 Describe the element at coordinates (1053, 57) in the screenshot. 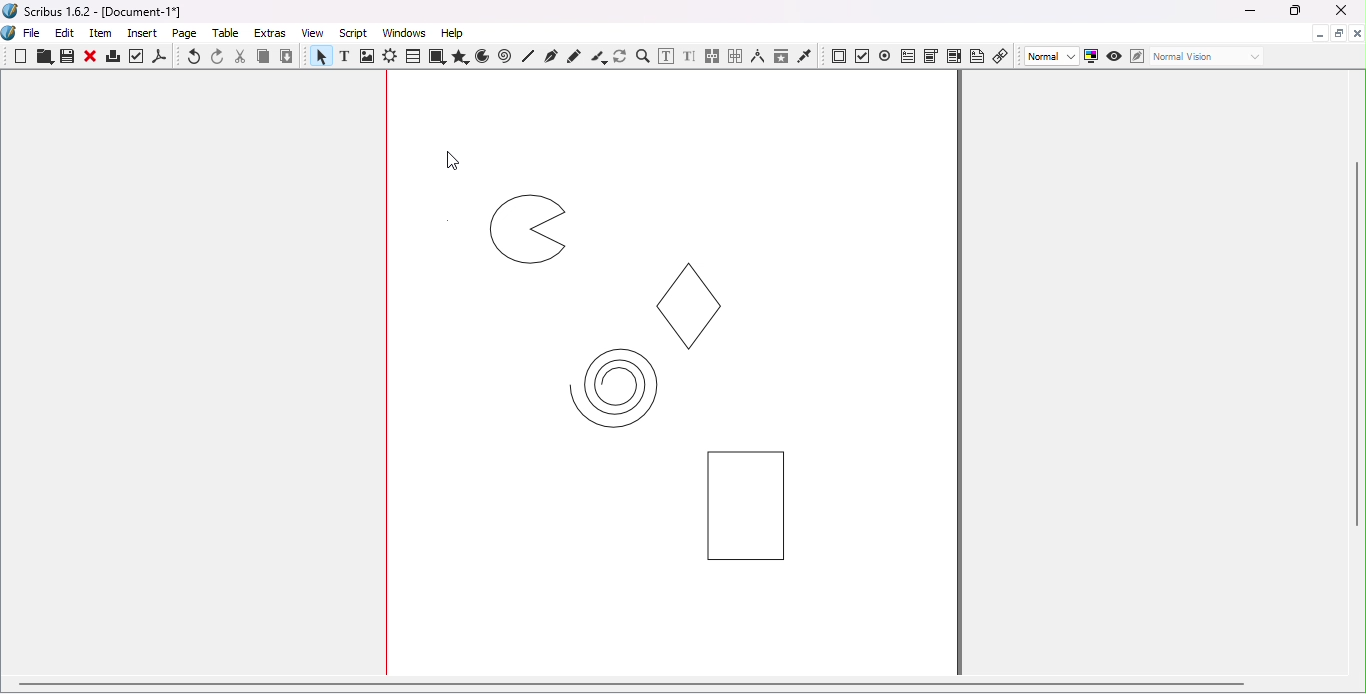

I see `Select image preview quality` at that location.